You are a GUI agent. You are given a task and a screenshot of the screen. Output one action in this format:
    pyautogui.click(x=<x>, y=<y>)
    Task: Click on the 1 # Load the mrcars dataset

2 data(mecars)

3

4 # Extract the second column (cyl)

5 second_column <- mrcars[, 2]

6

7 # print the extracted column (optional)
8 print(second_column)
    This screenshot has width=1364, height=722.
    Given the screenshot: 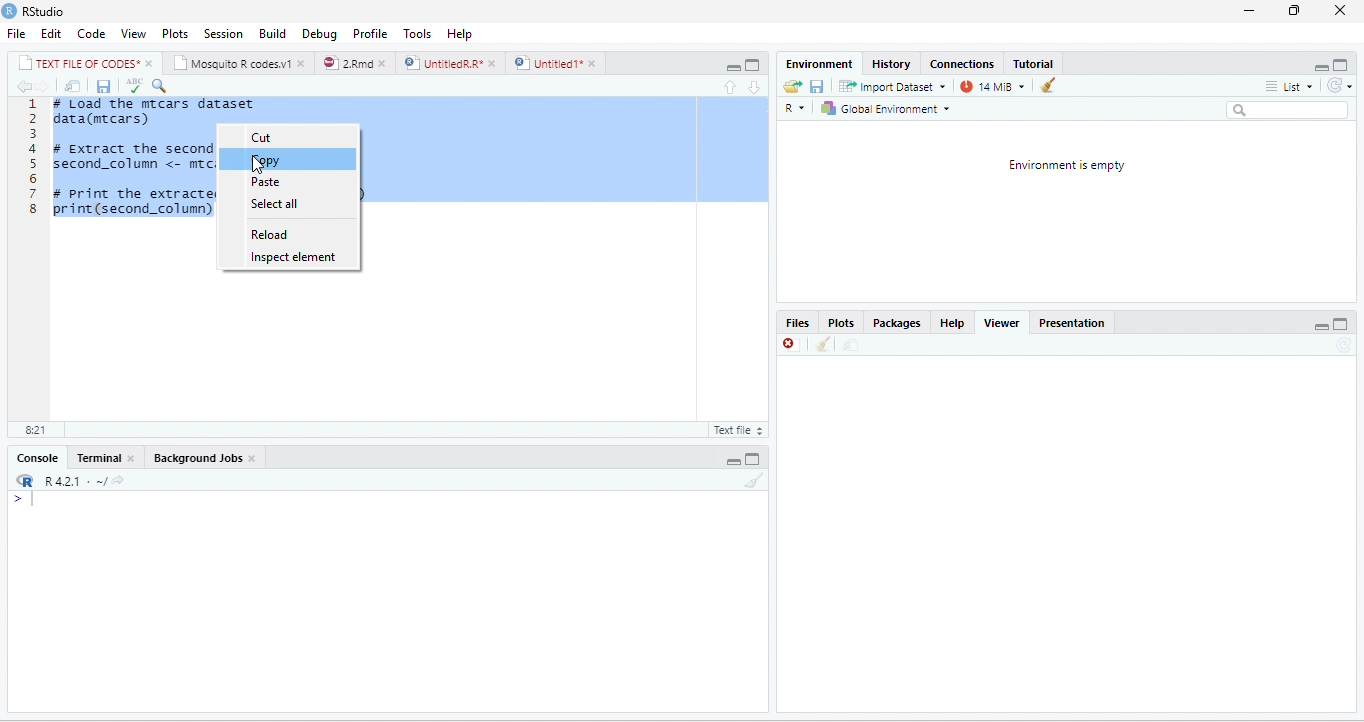 What is the action you would take?
    pyautogui.click(x=131, y=257)
    